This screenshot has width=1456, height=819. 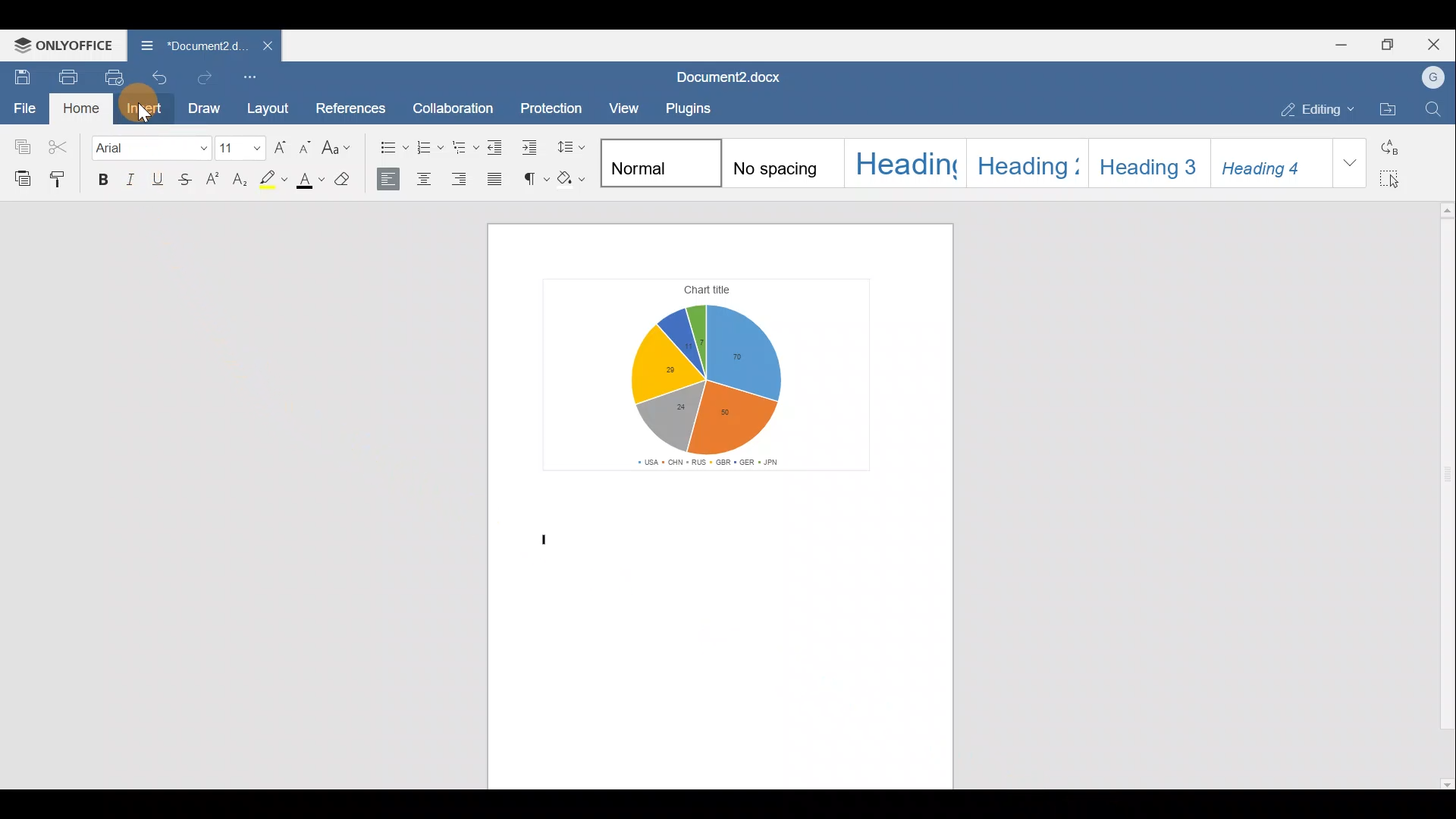 I want to click on Account name, so click(x=1435, y=76).